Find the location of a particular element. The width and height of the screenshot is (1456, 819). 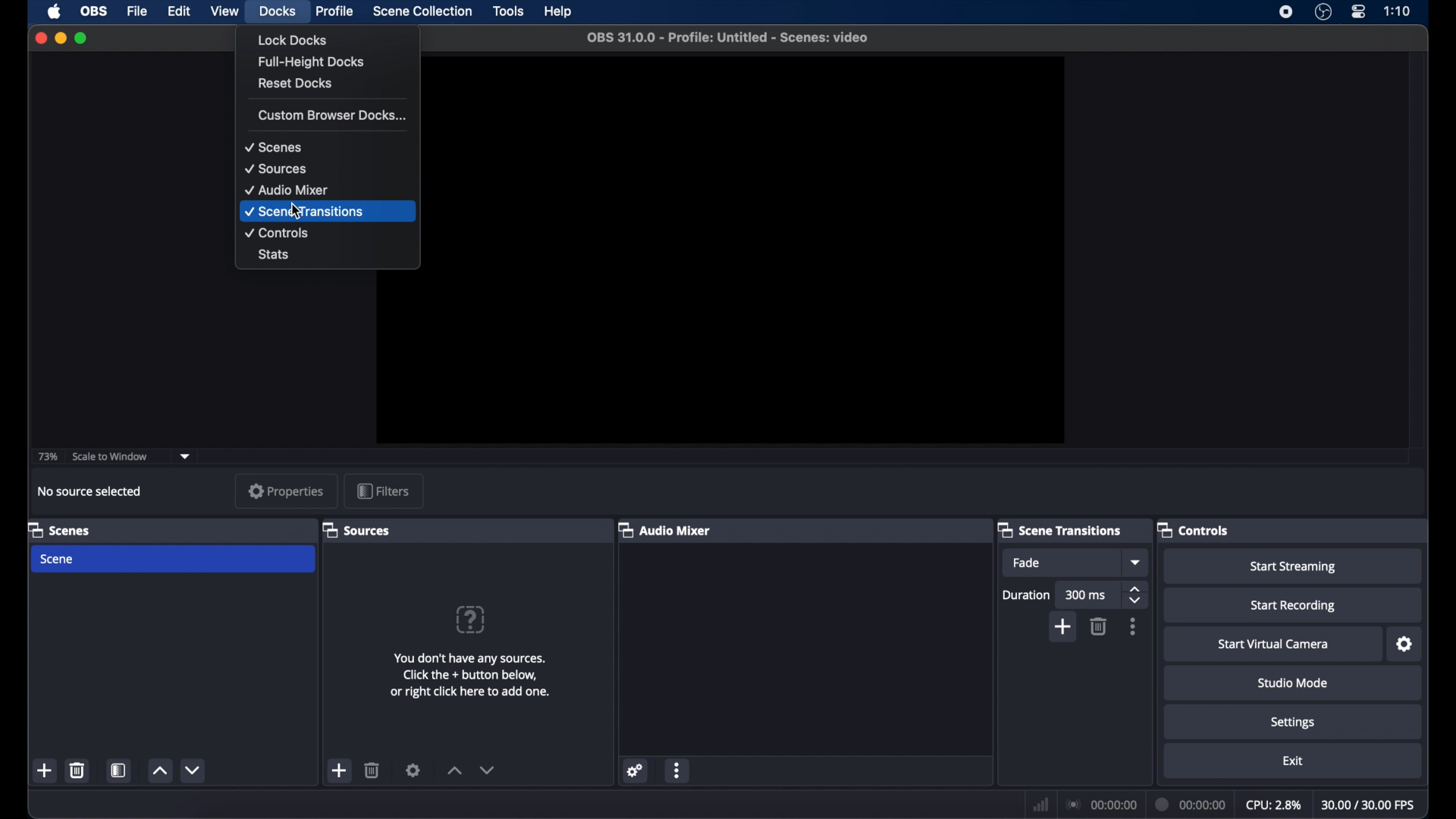

exit is located at coordinates (1292, 760).